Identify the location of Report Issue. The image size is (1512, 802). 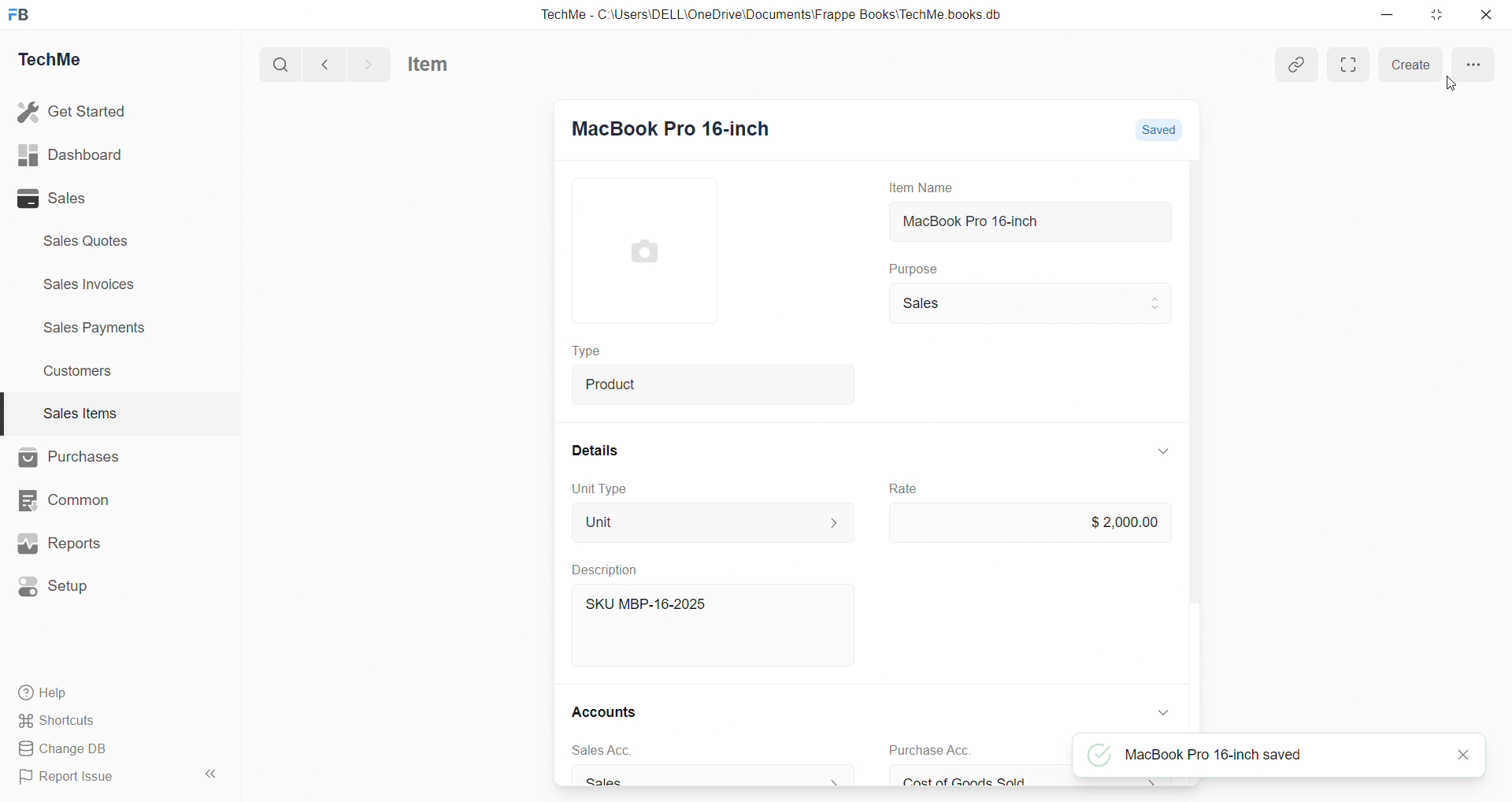
(70, 778).